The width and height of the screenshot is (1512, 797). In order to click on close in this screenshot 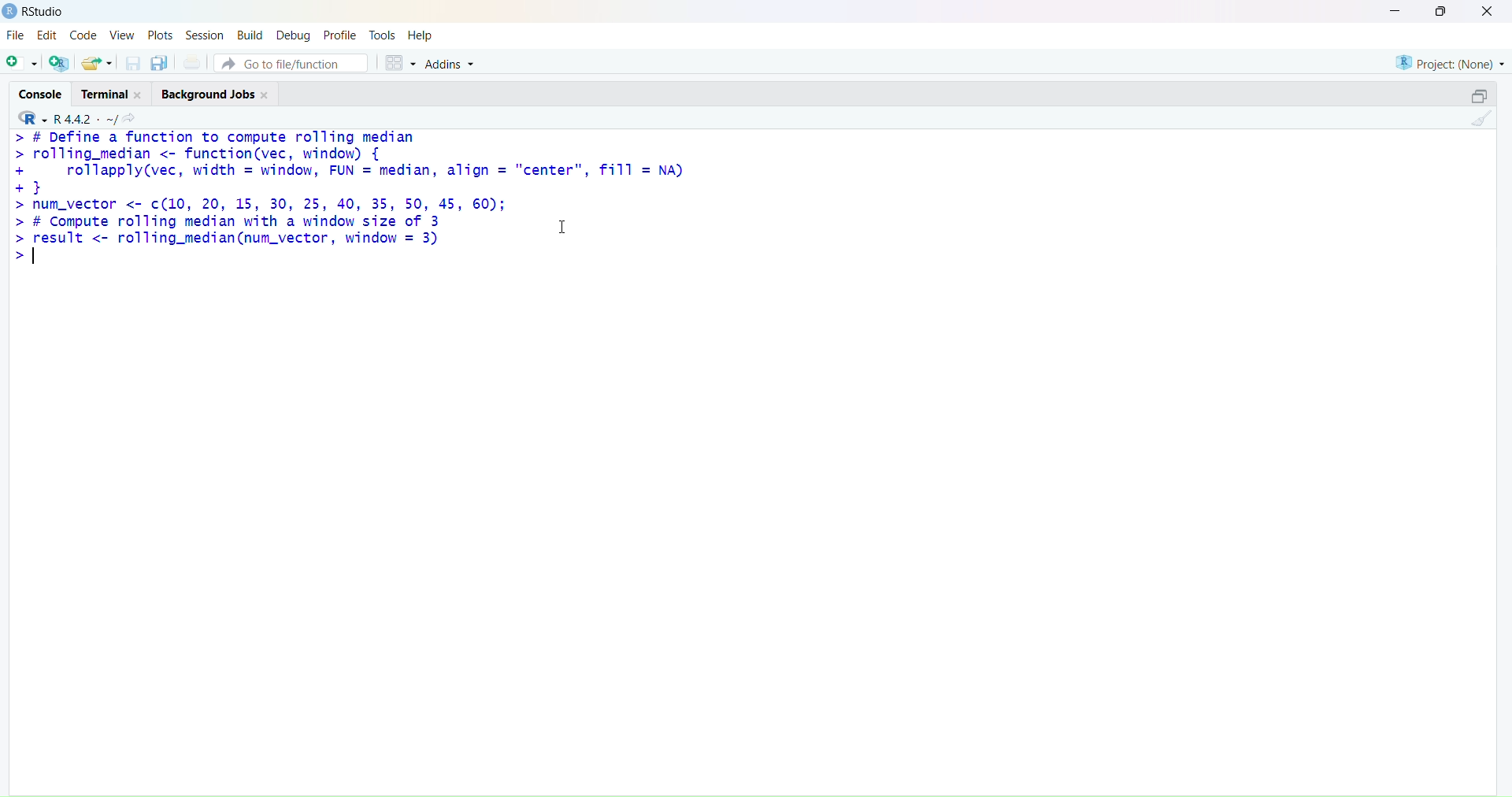, I will do `click(137, 95)`.